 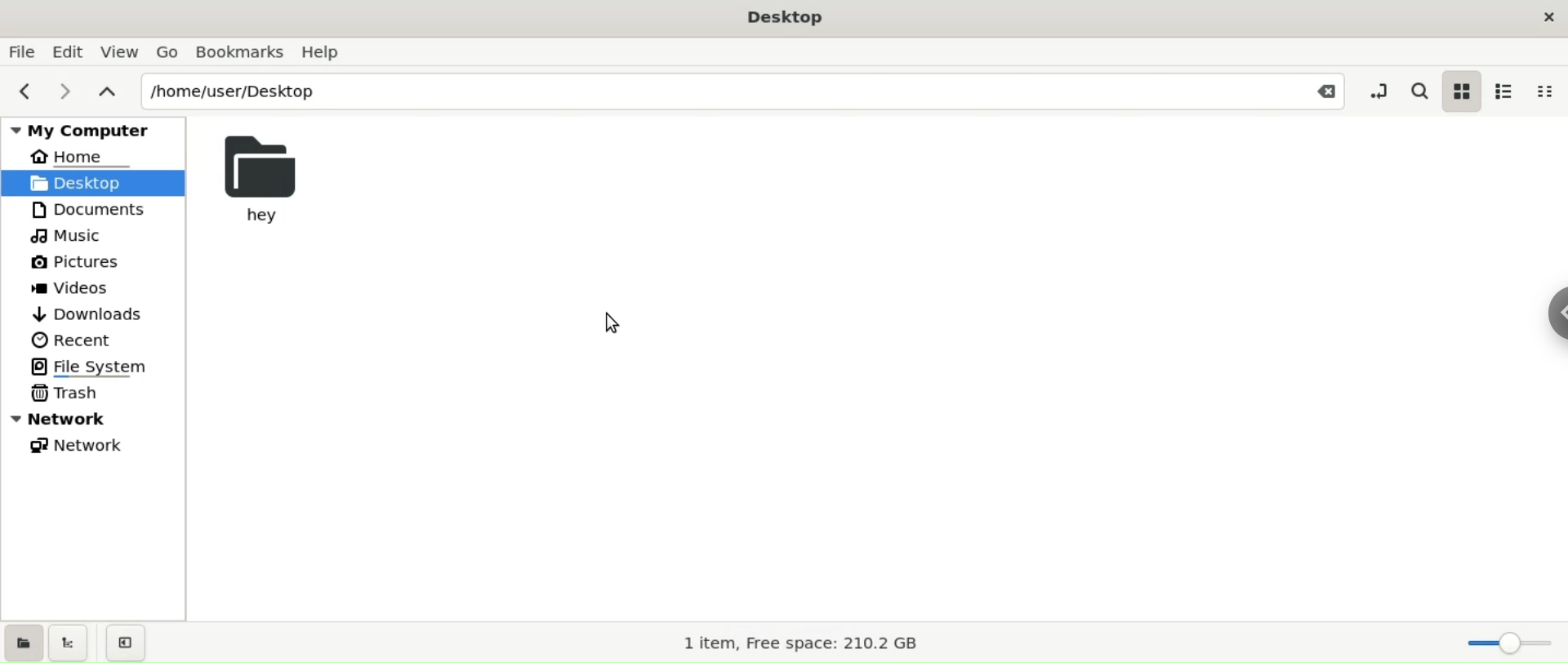 What do you see at coordinates (102, 365) in the screenshot?
I see `file system` at bounding box center [102, 365].